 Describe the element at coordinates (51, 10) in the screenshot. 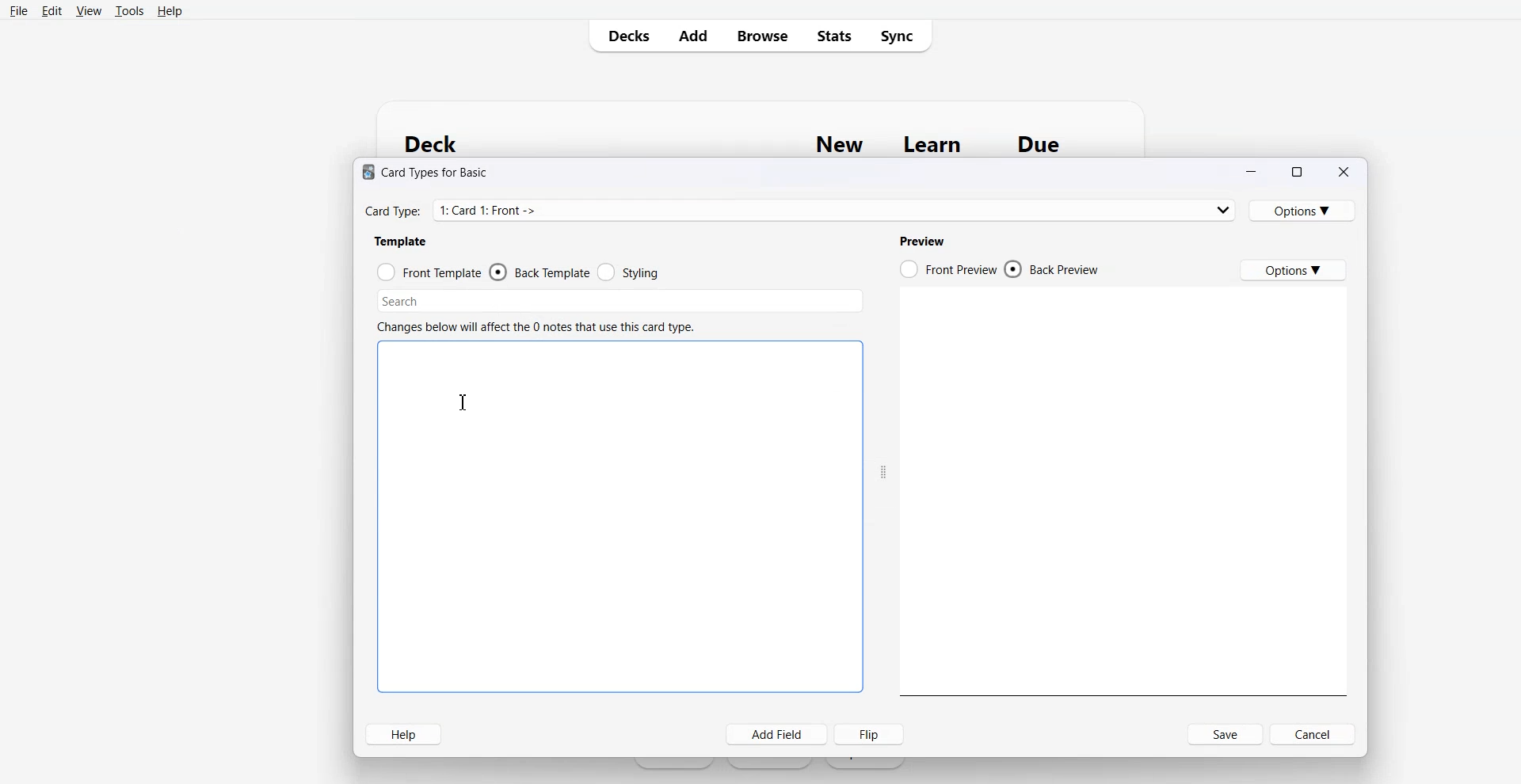

I see `Edit` at that location.